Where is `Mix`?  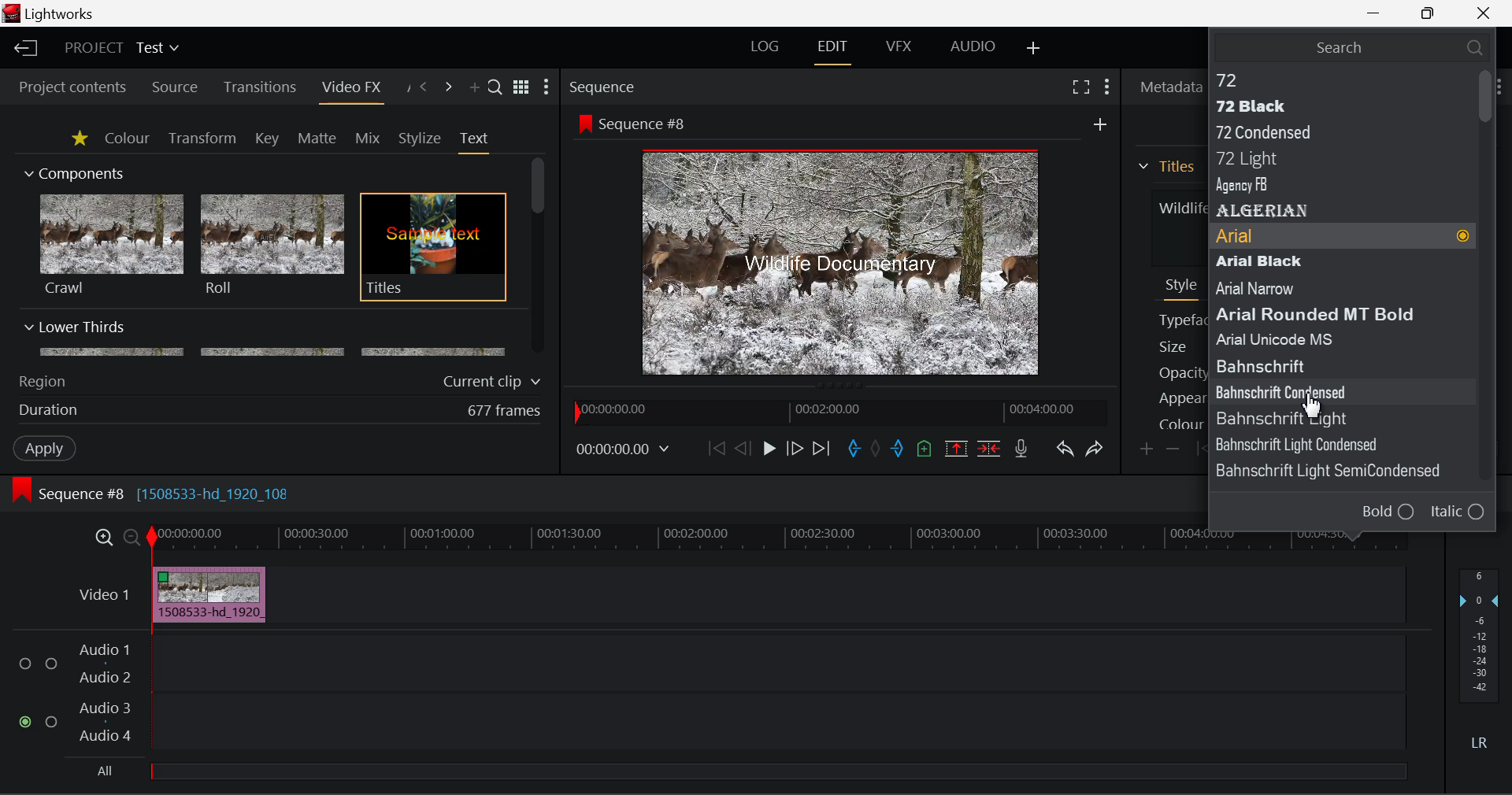 Mix is located at coordinates (367, 139).